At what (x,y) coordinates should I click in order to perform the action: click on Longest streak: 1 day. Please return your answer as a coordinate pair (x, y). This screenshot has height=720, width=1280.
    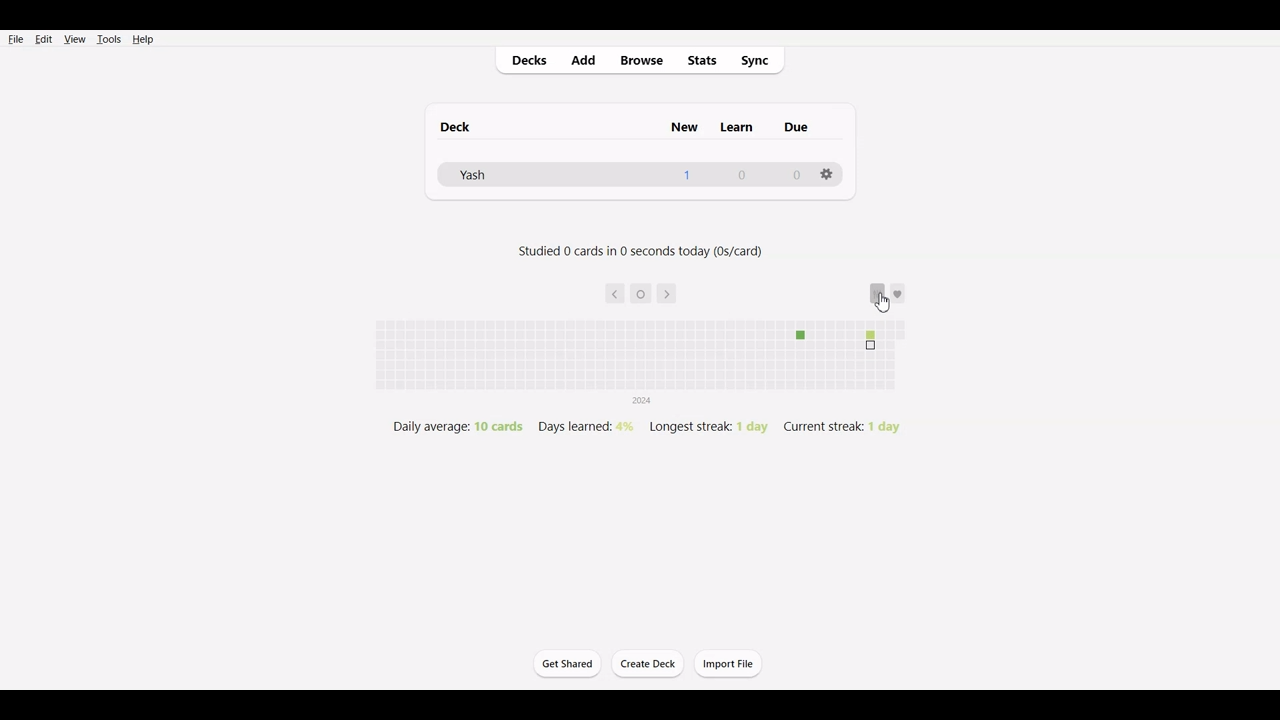
    Looking at the image, I should click on (708, 427).